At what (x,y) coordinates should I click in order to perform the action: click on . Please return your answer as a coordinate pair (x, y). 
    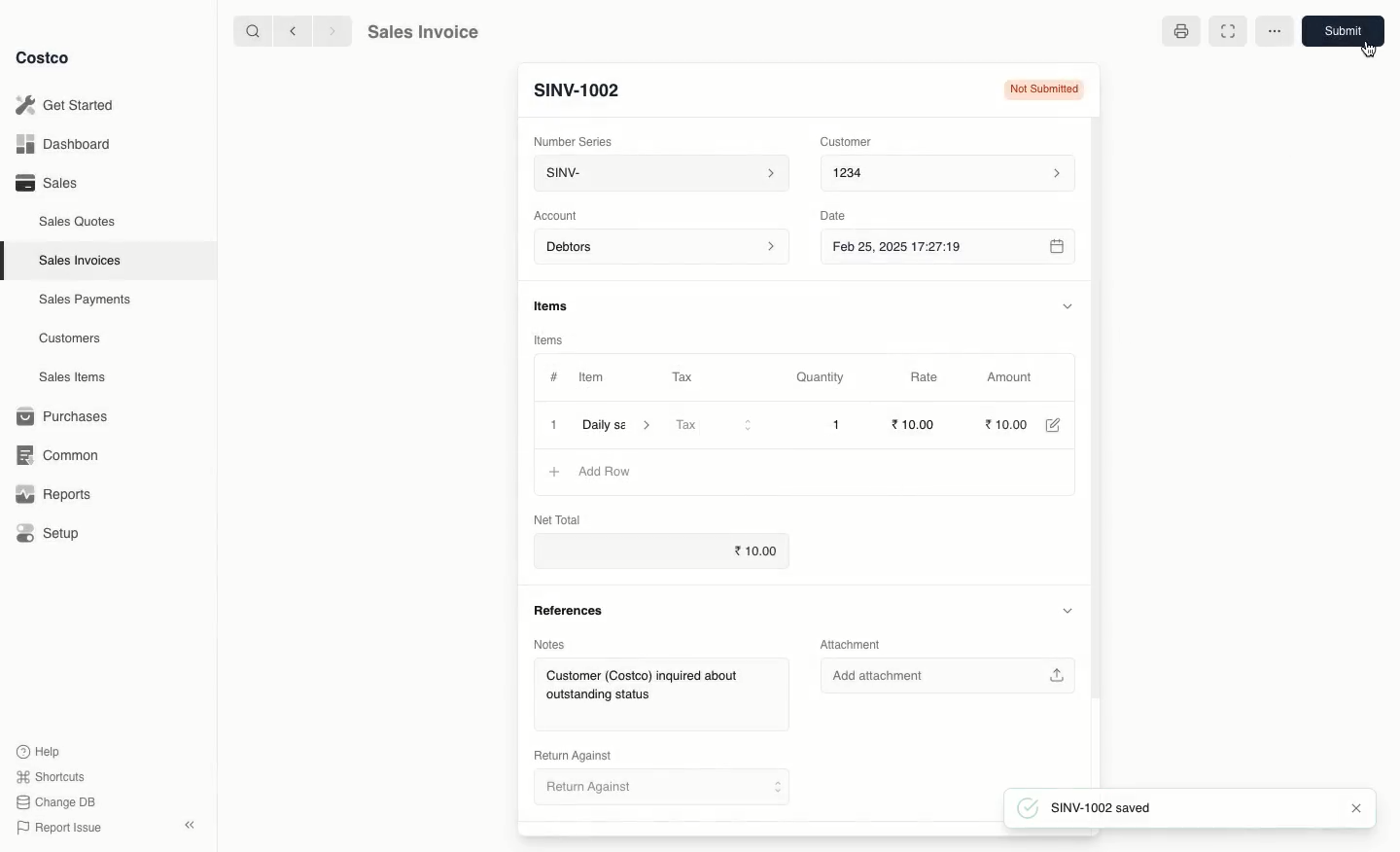
    Looking at the image, I should click on (556, 304).